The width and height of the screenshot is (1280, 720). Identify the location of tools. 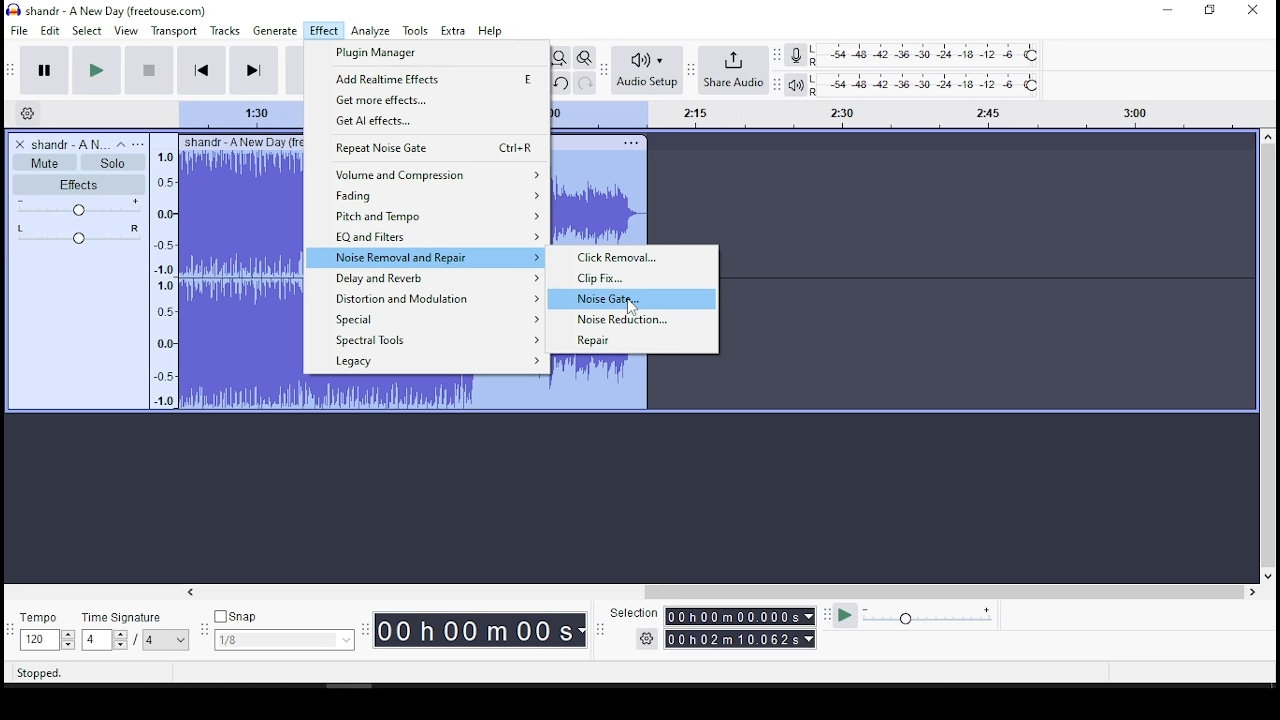
(417, 30).